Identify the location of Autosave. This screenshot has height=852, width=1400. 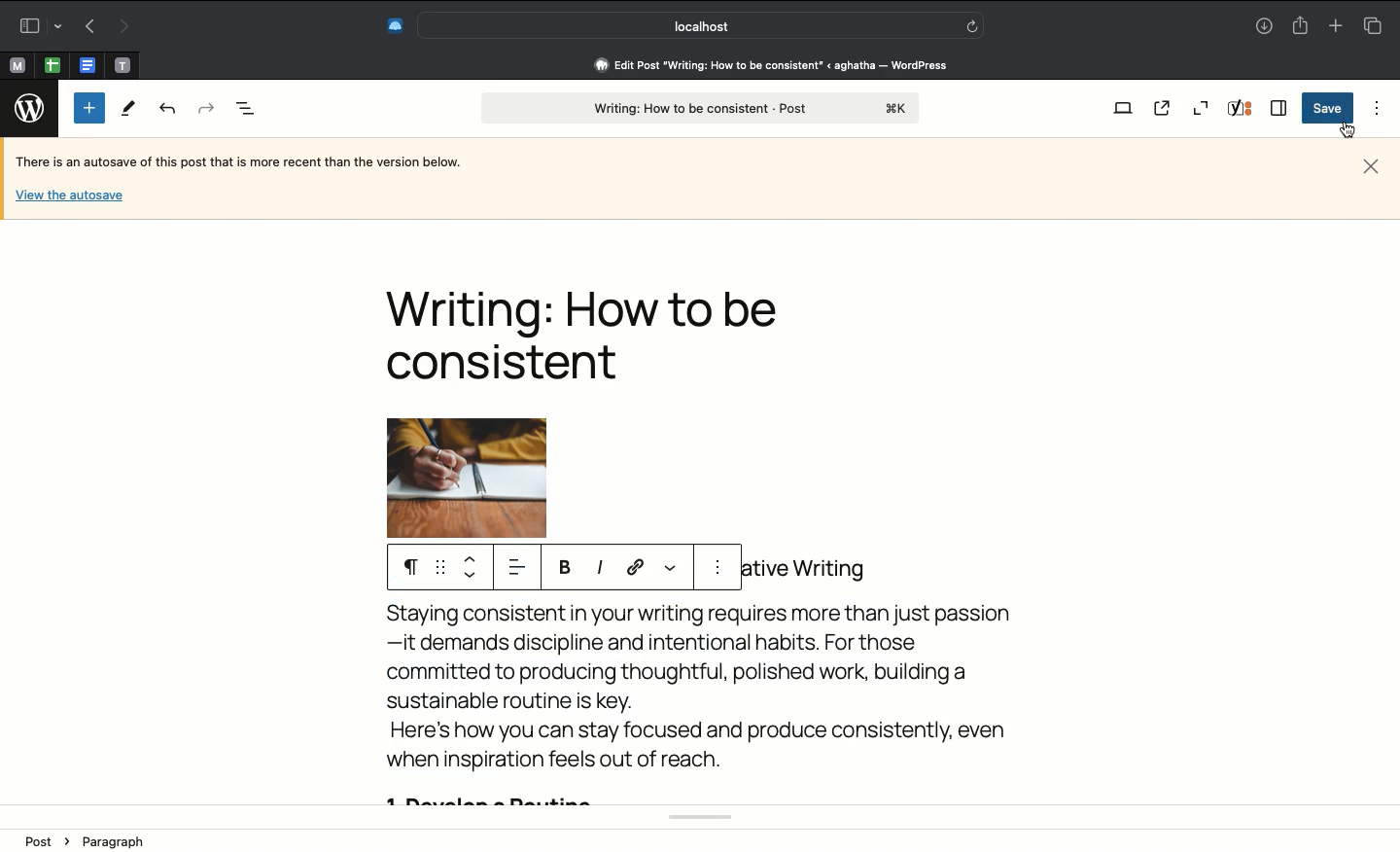
(254, 163).